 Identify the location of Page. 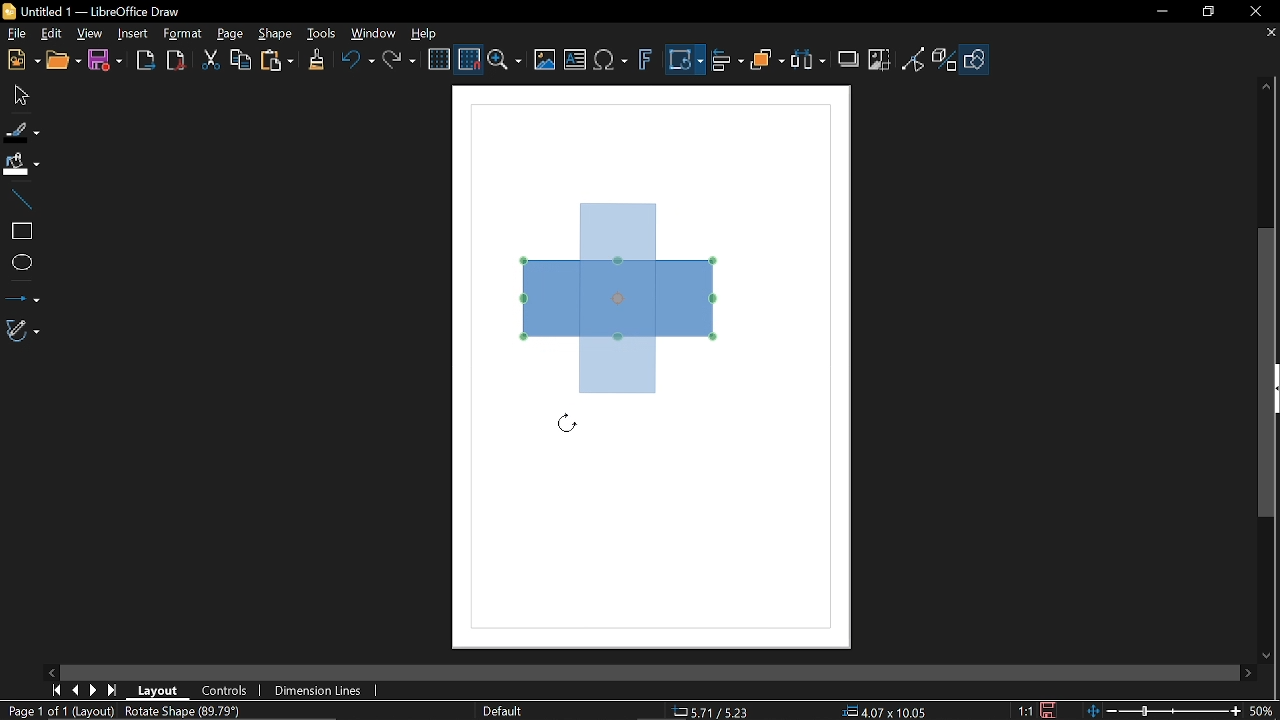
(230, 33).